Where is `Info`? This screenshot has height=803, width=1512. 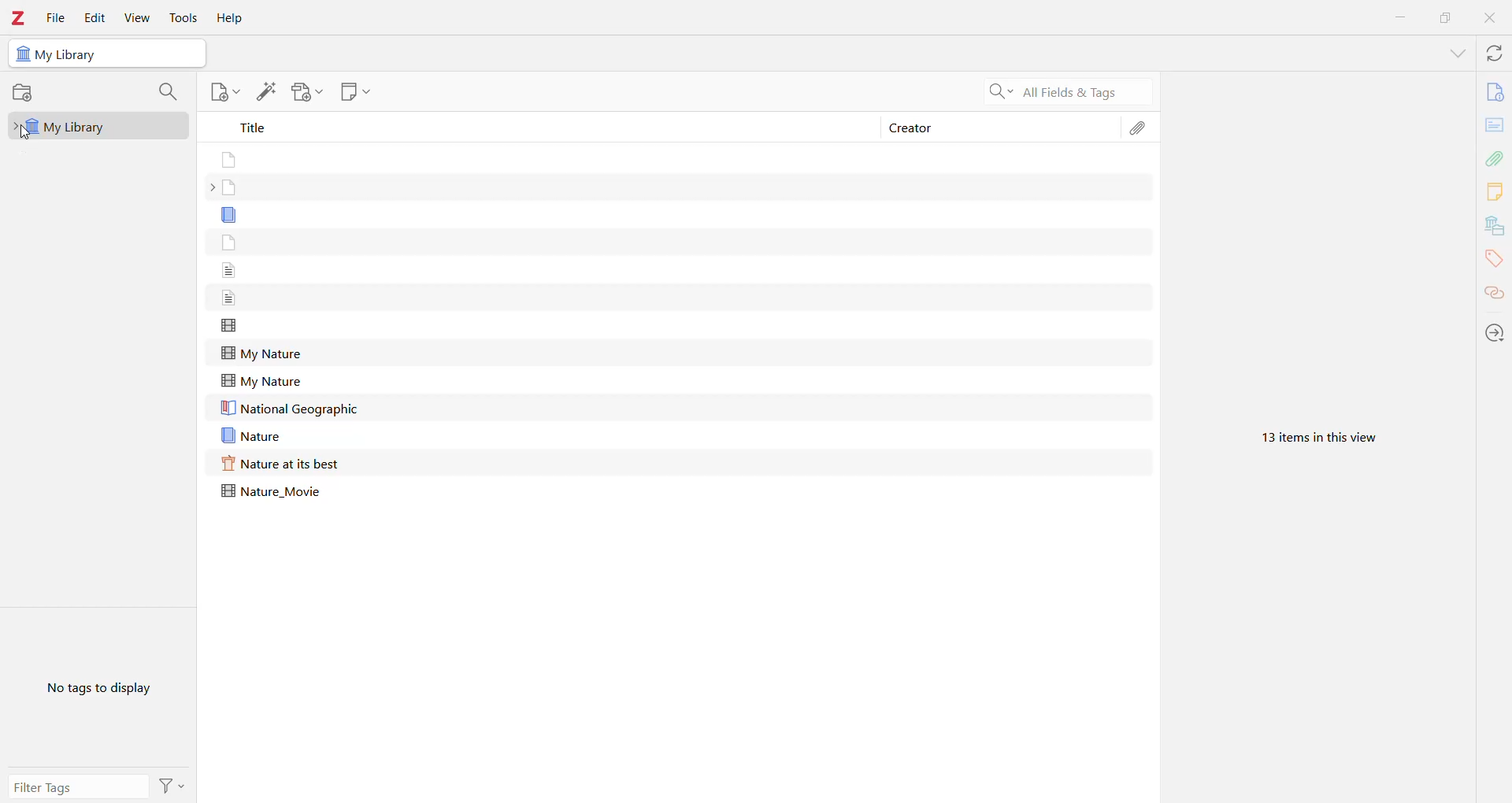 Info is located at coordinates (1495, 94).